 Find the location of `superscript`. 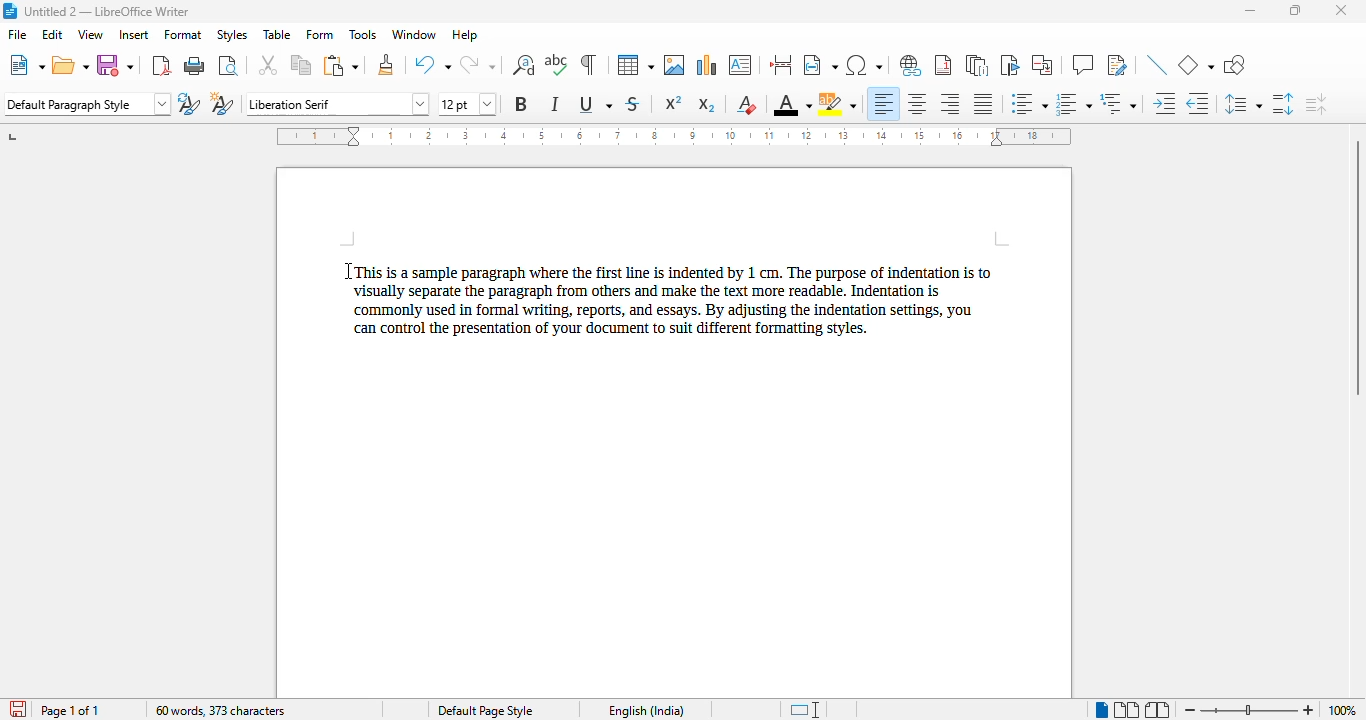

superscript is located at coordinates (674, 103).